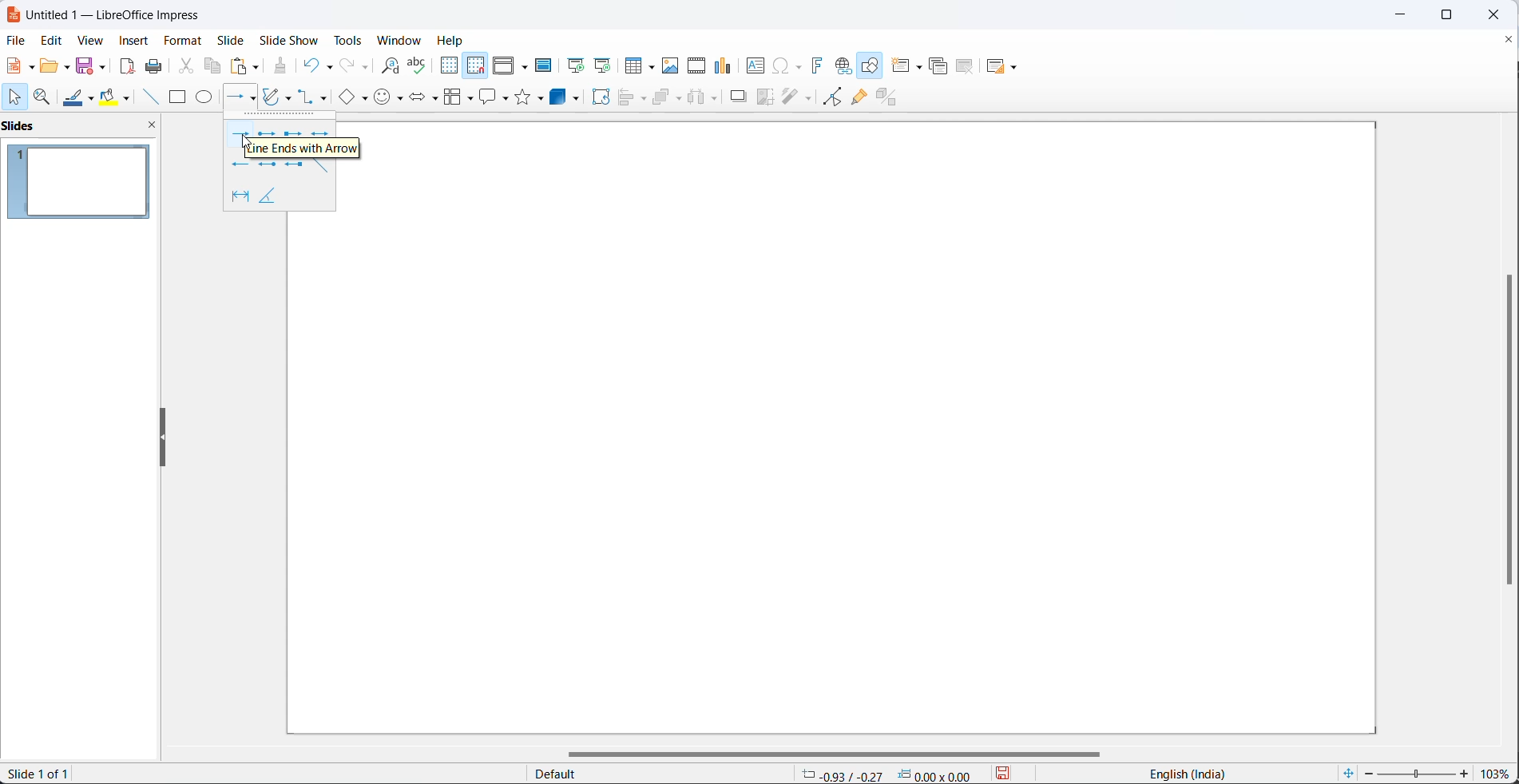 The width and height of the screenshot is (1519, 784). What do you see at coordinates (160, 438) in the screenshot?
I see `reszie` at bounding box center [160, 438].